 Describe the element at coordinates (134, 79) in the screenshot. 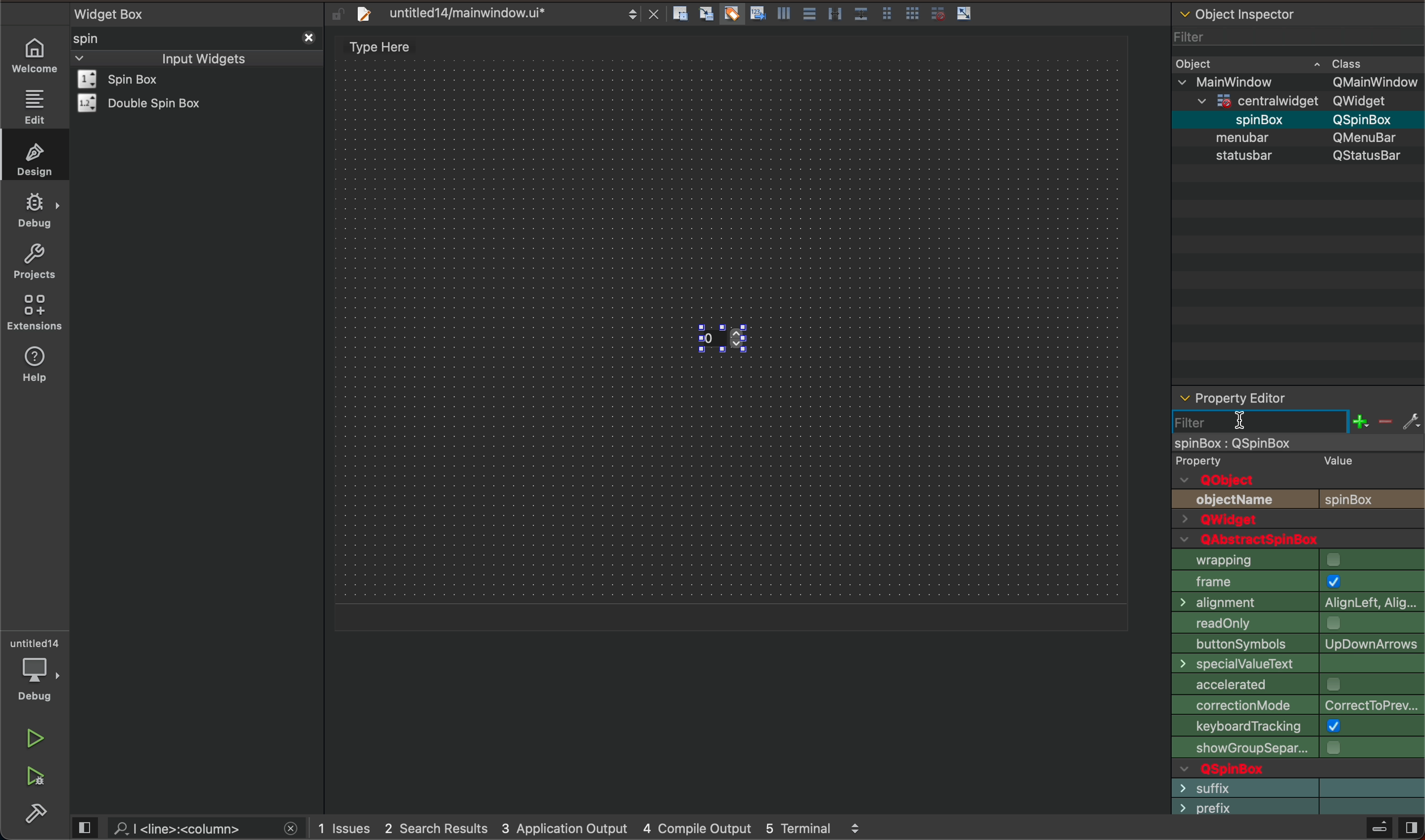

I see `widget` at that location.